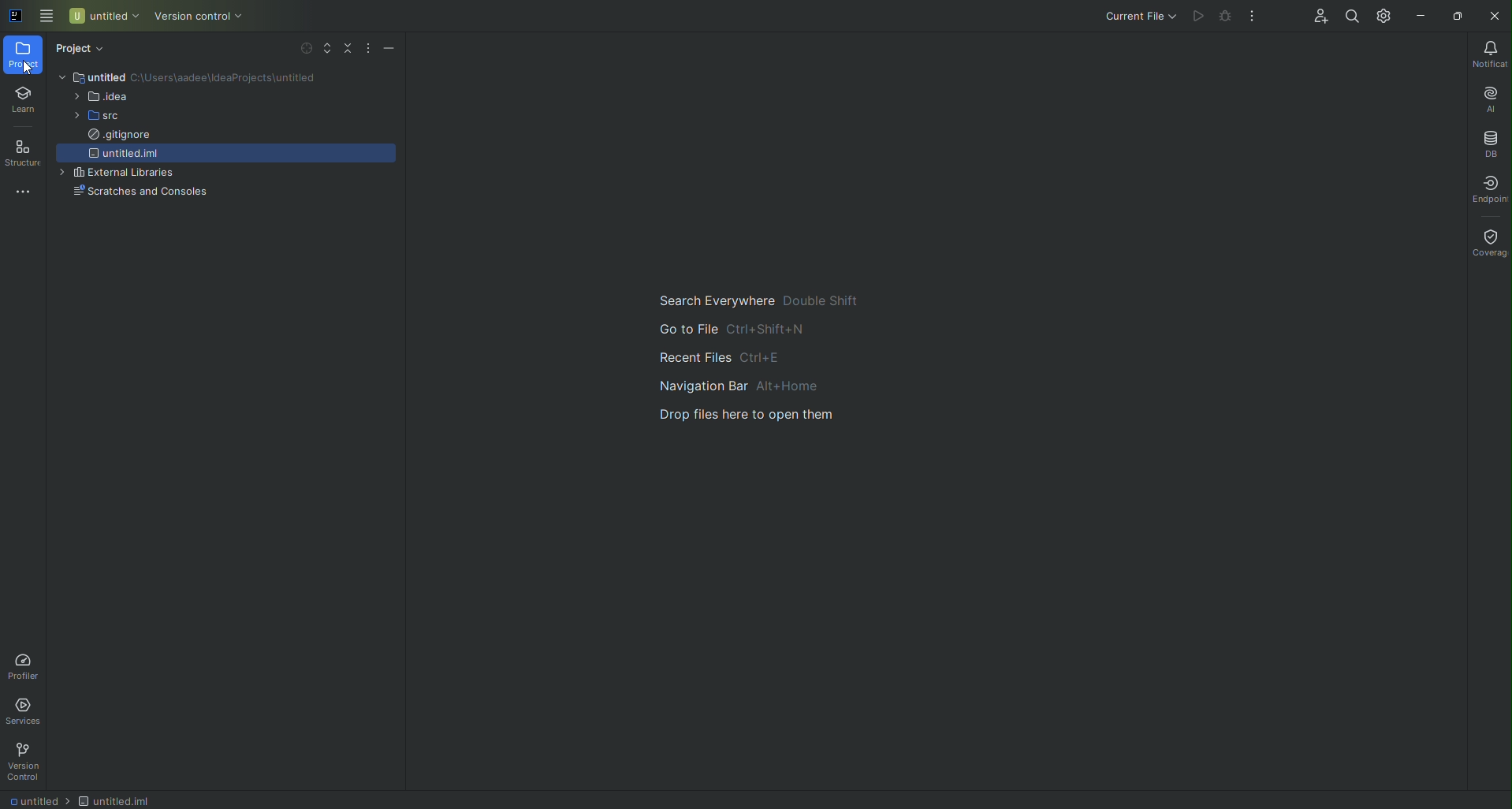 This screenshot has height=809, width=1512. Describe the element at coordinates (140, 194) in the screenshot. I see `Scratches and Consoles` at that location.